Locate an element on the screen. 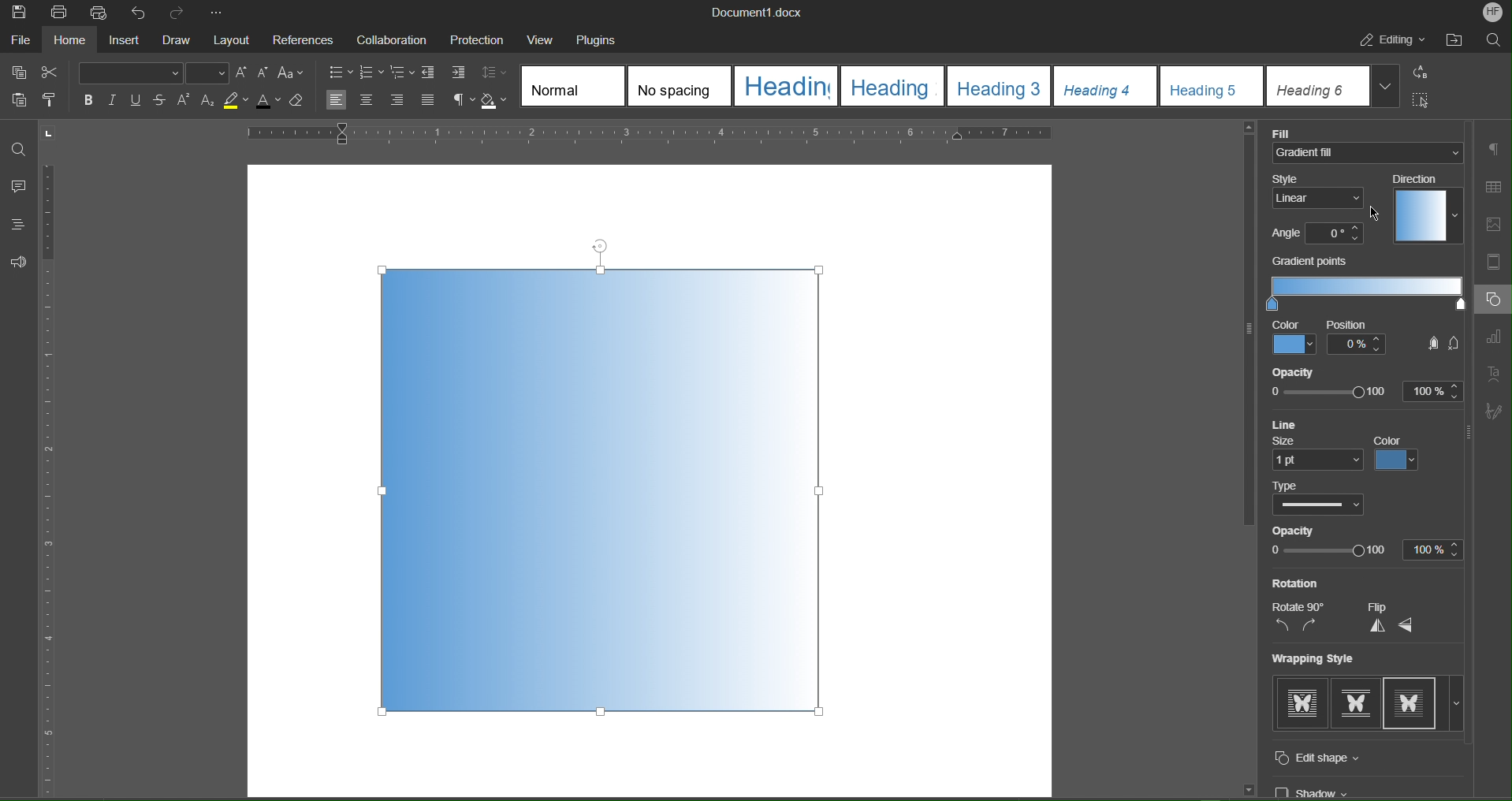 The image size is (1512, 801). Decrease Indent is located at coordinates (432, 73).